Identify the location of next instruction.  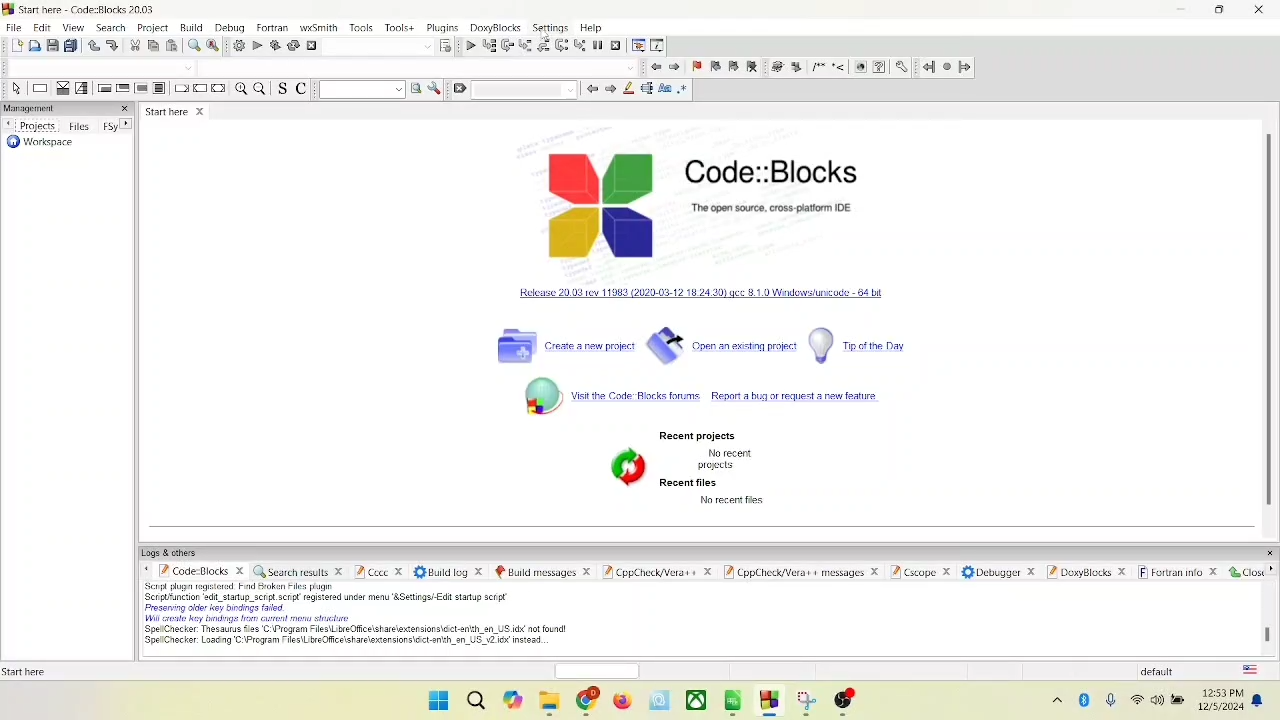
(561, 44).